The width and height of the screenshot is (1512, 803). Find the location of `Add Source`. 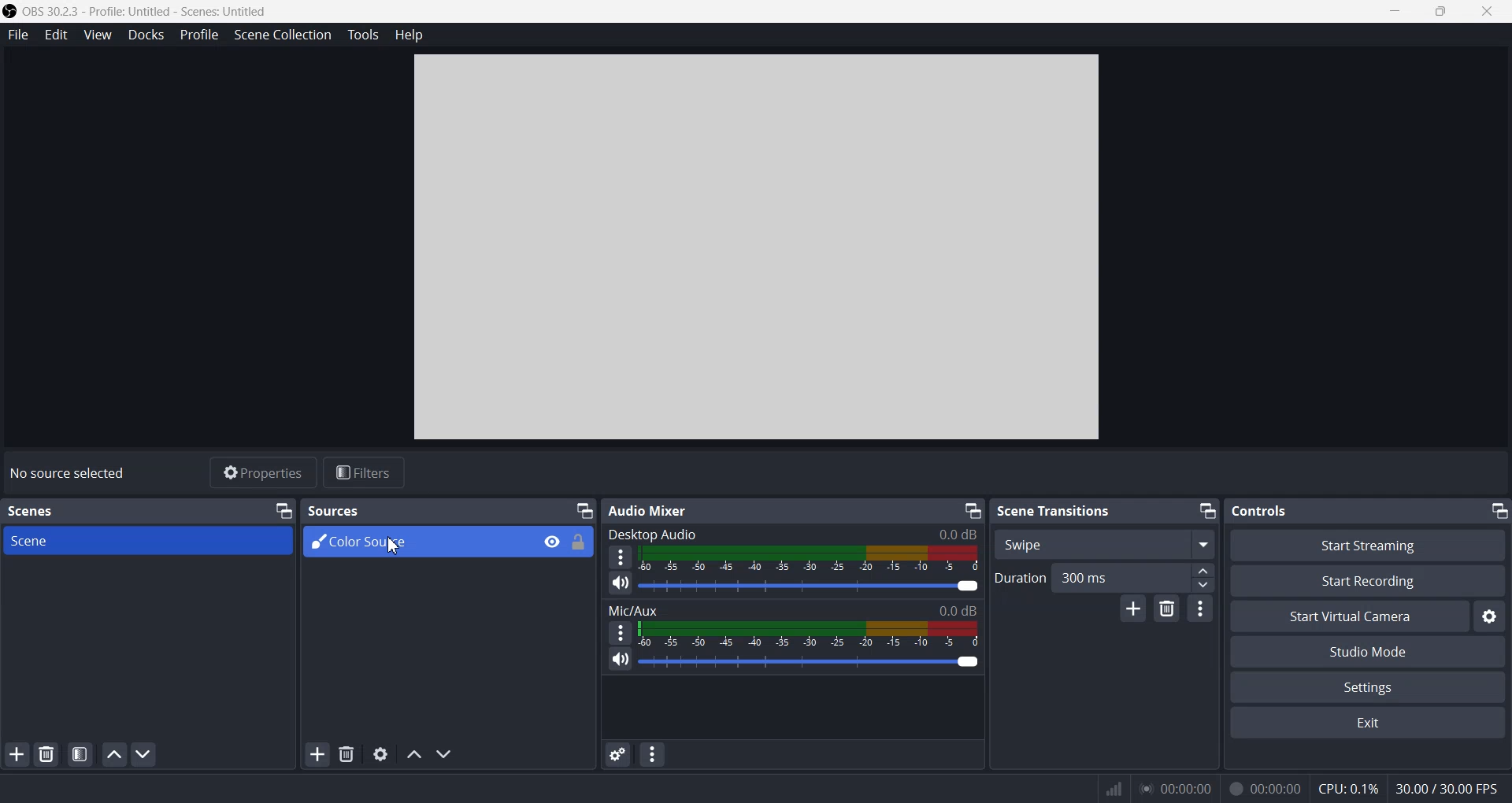

Add Source is located at coordinates (317, 756).